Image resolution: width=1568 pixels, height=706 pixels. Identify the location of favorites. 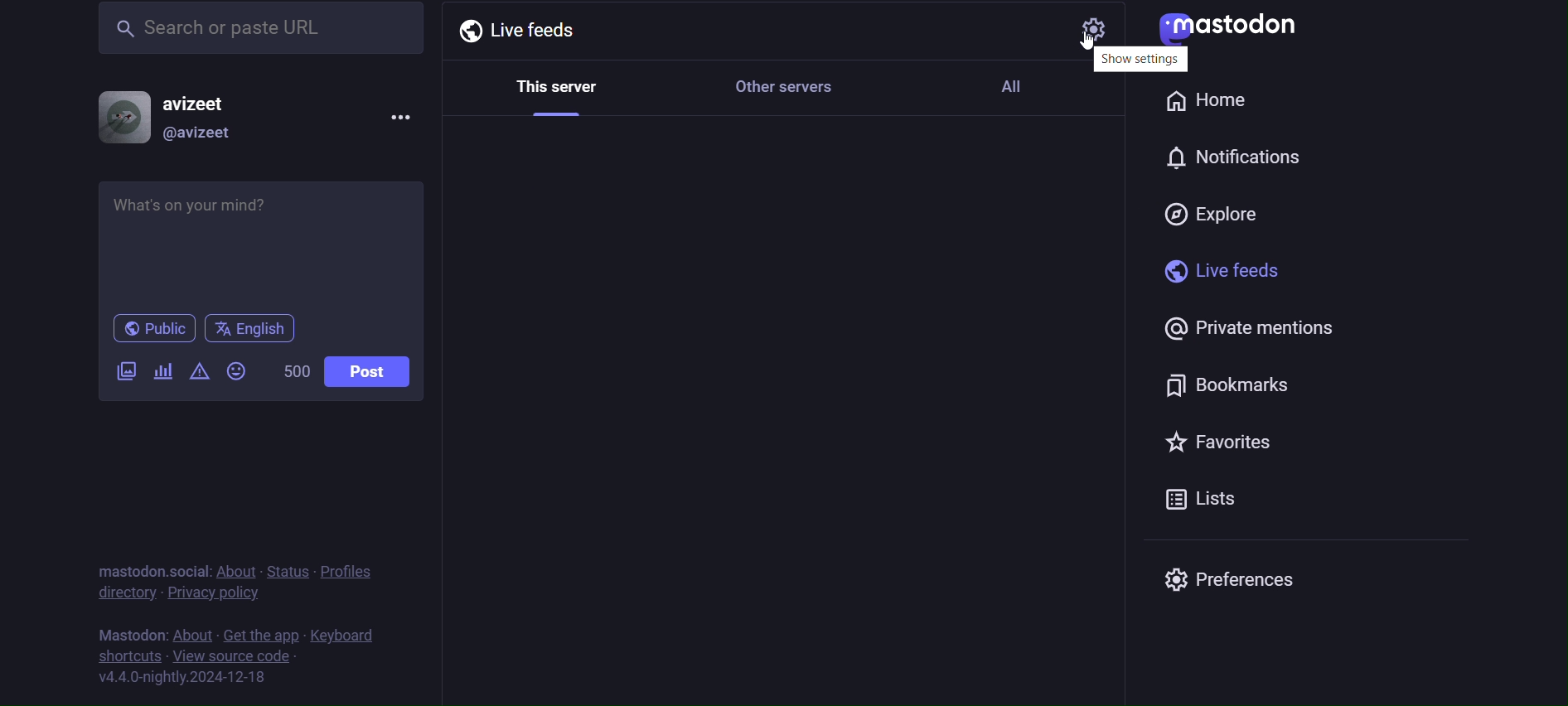
(1222, 442).